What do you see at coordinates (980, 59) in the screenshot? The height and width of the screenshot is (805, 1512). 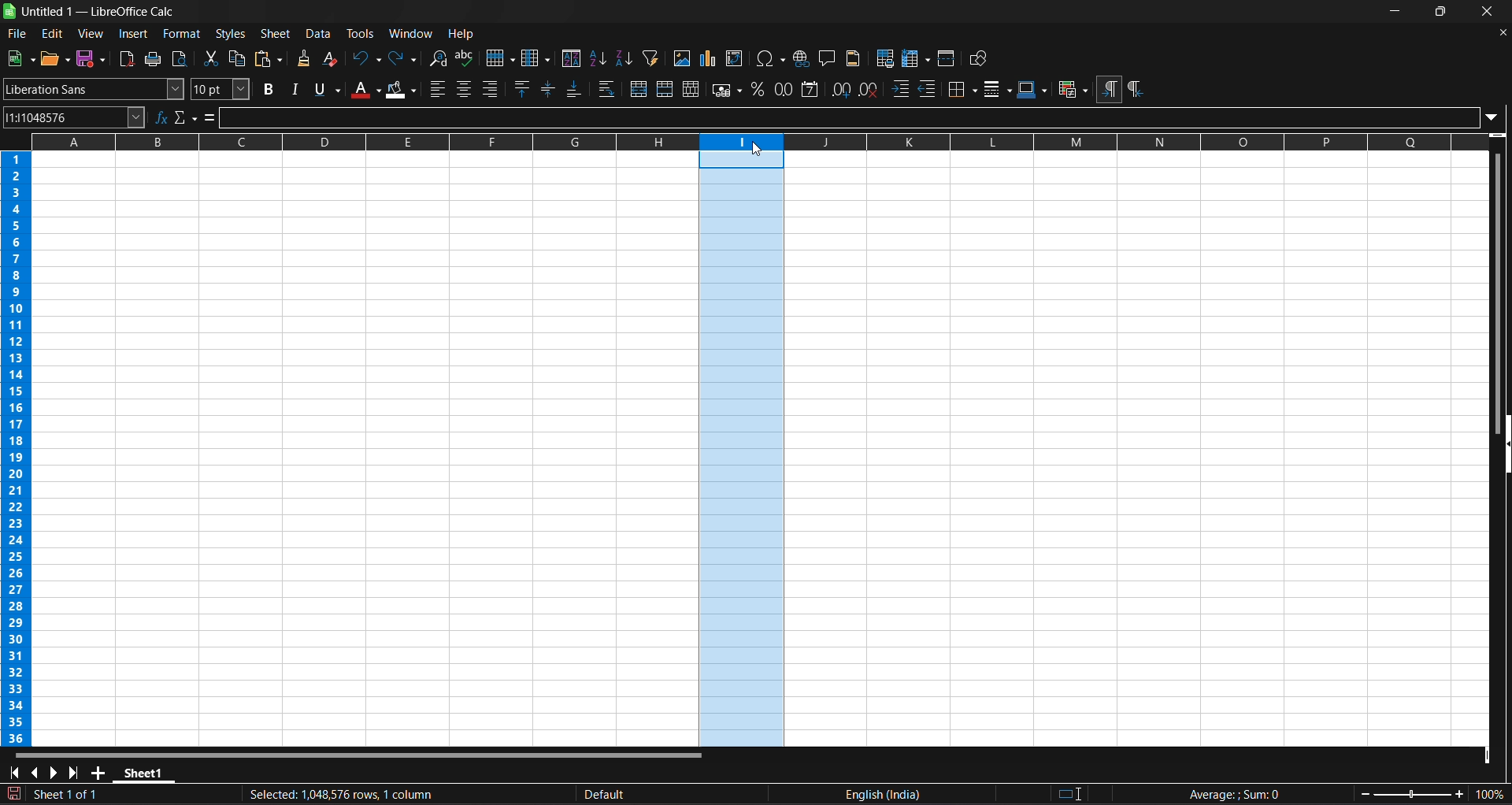 I see `show draw functions` at bounding box center [980, 59].